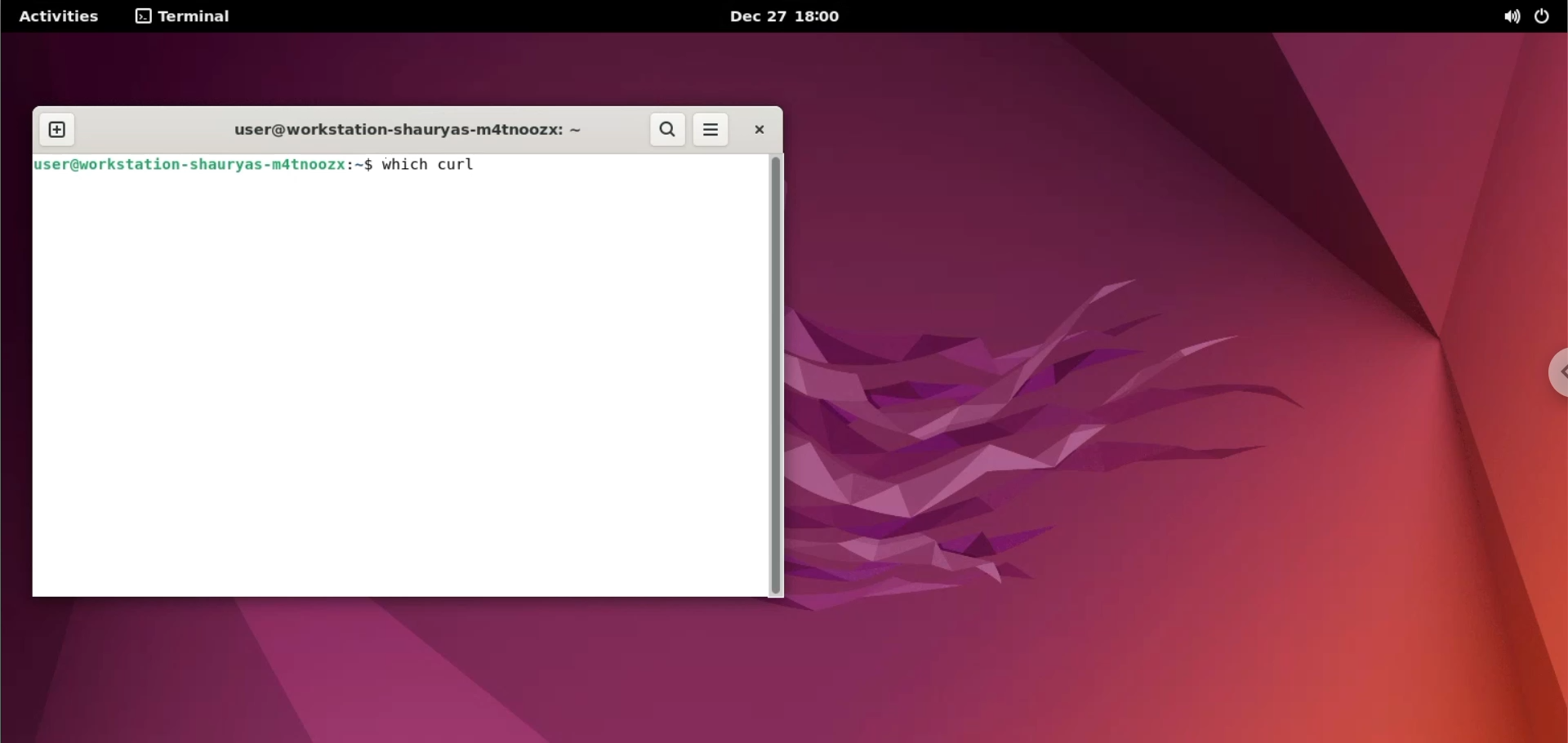  What do you see at coordinates (204, 164) in the screenshot?
I see `  user@workstation-shauryas-m4tnoozx: ~` at bounding box center [204, 164].